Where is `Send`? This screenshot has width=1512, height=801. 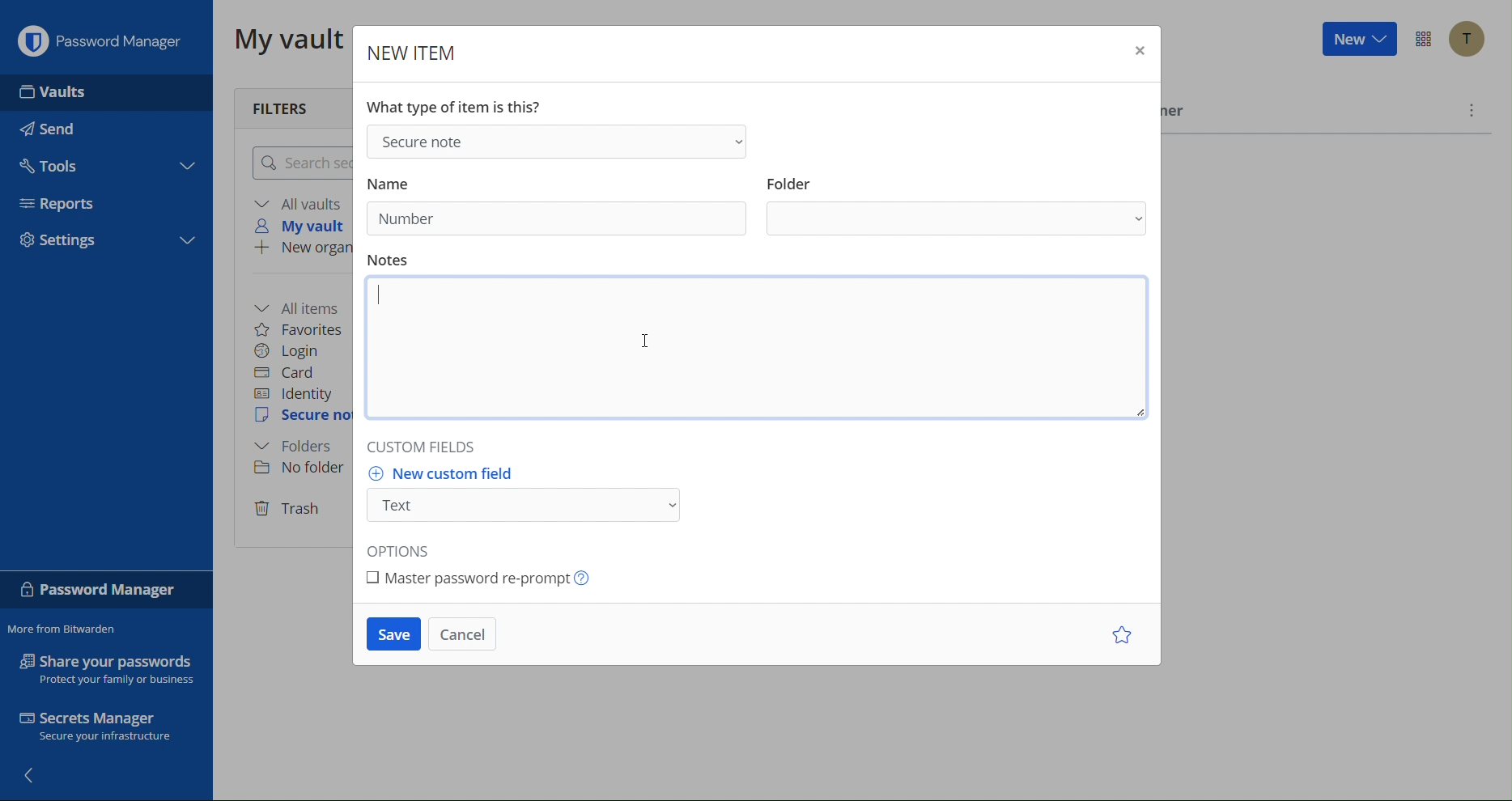 Send is located at coordinates (54, 129).